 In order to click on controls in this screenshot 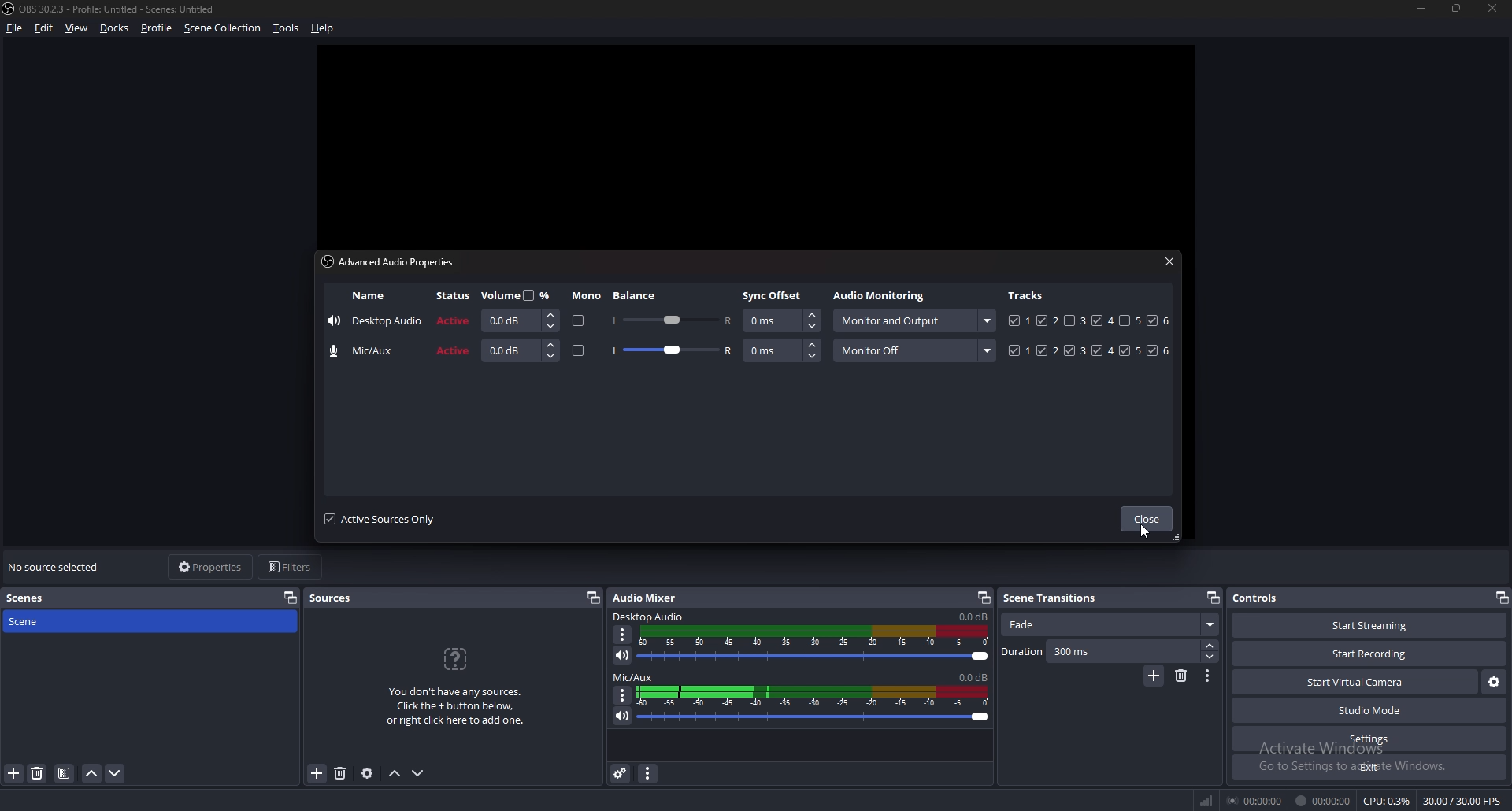, I will do `click(1266, 598)`.